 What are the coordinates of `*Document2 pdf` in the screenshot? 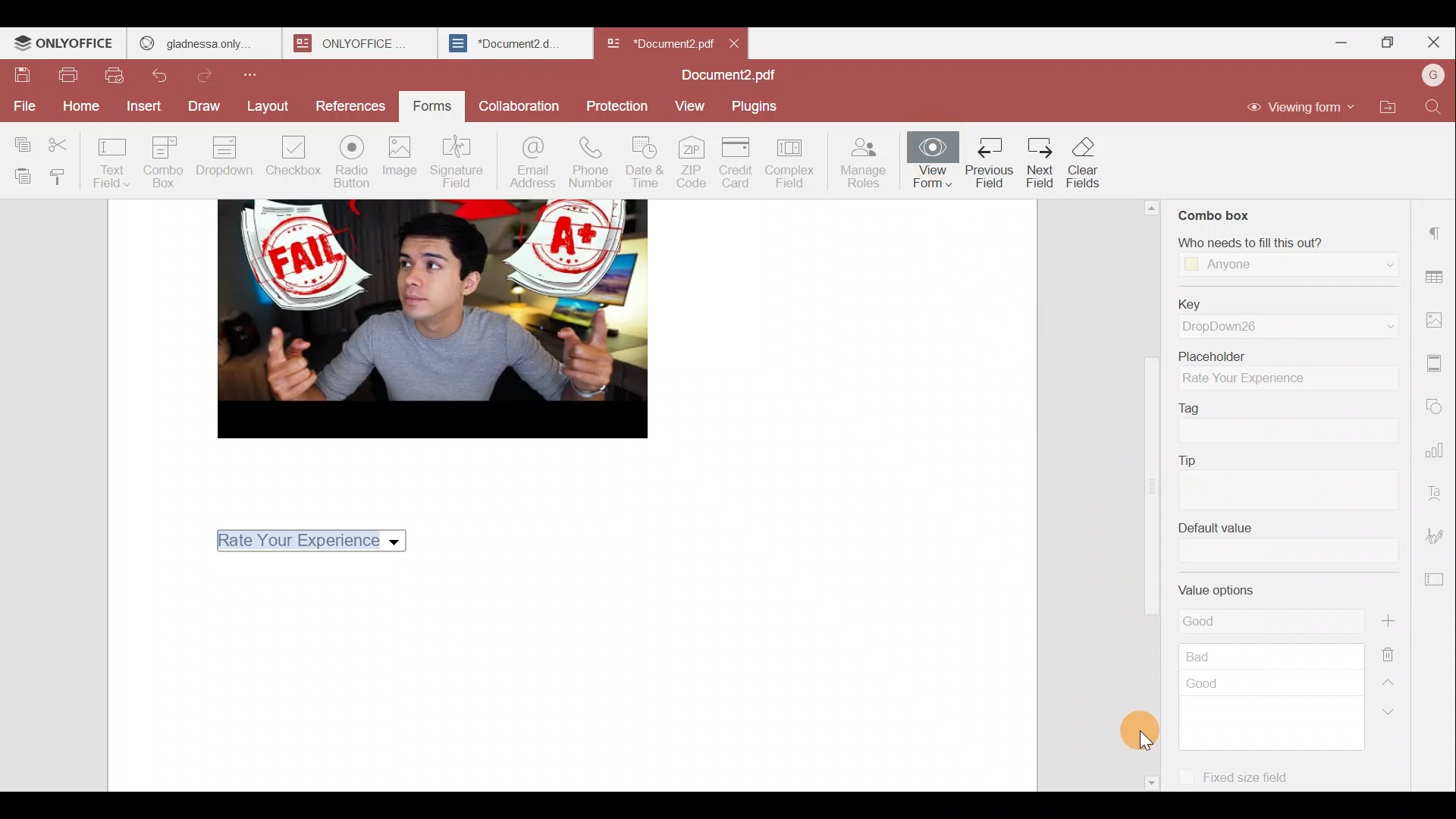 It's located at (658, 42).